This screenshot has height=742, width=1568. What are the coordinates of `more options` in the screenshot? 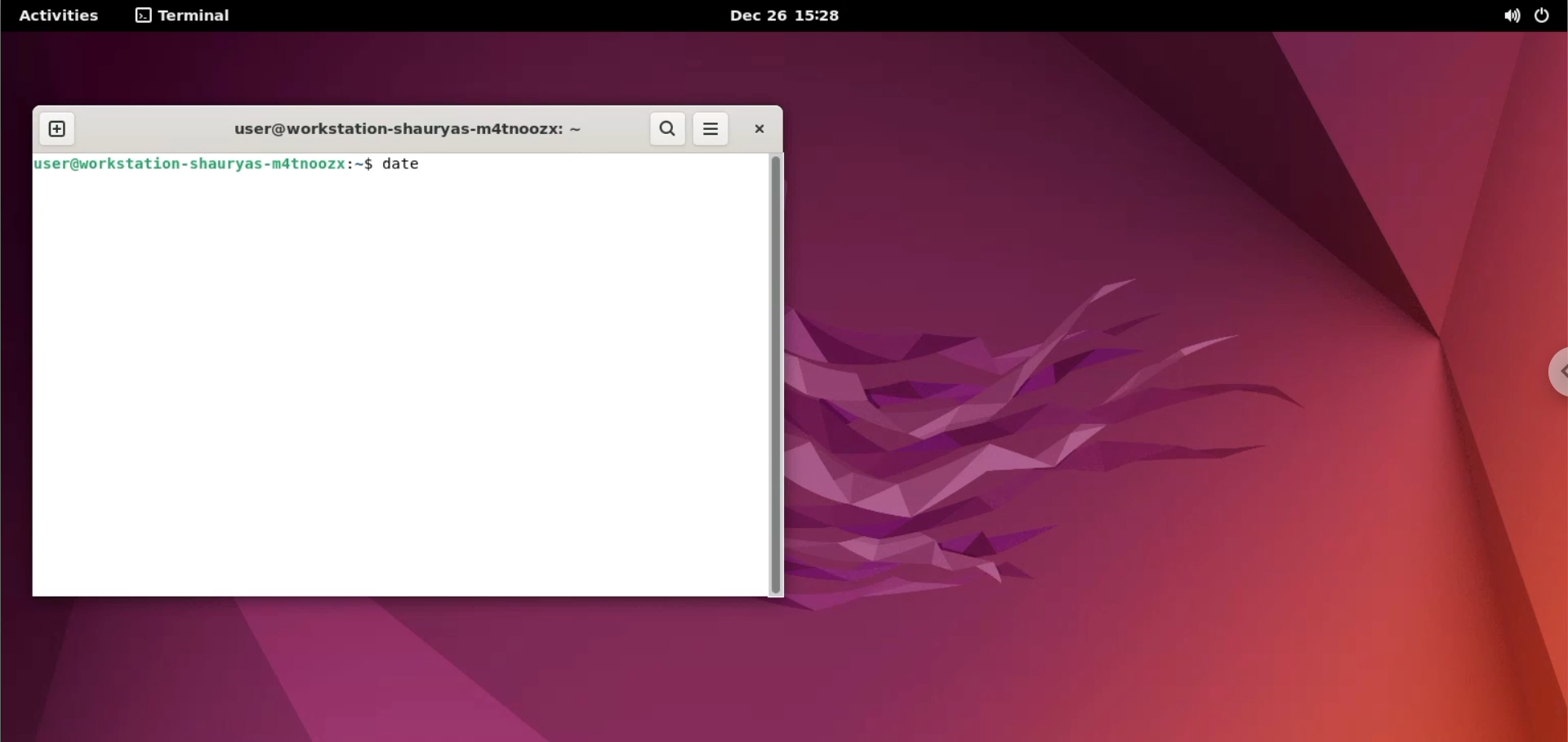 It's located at (712, 127).